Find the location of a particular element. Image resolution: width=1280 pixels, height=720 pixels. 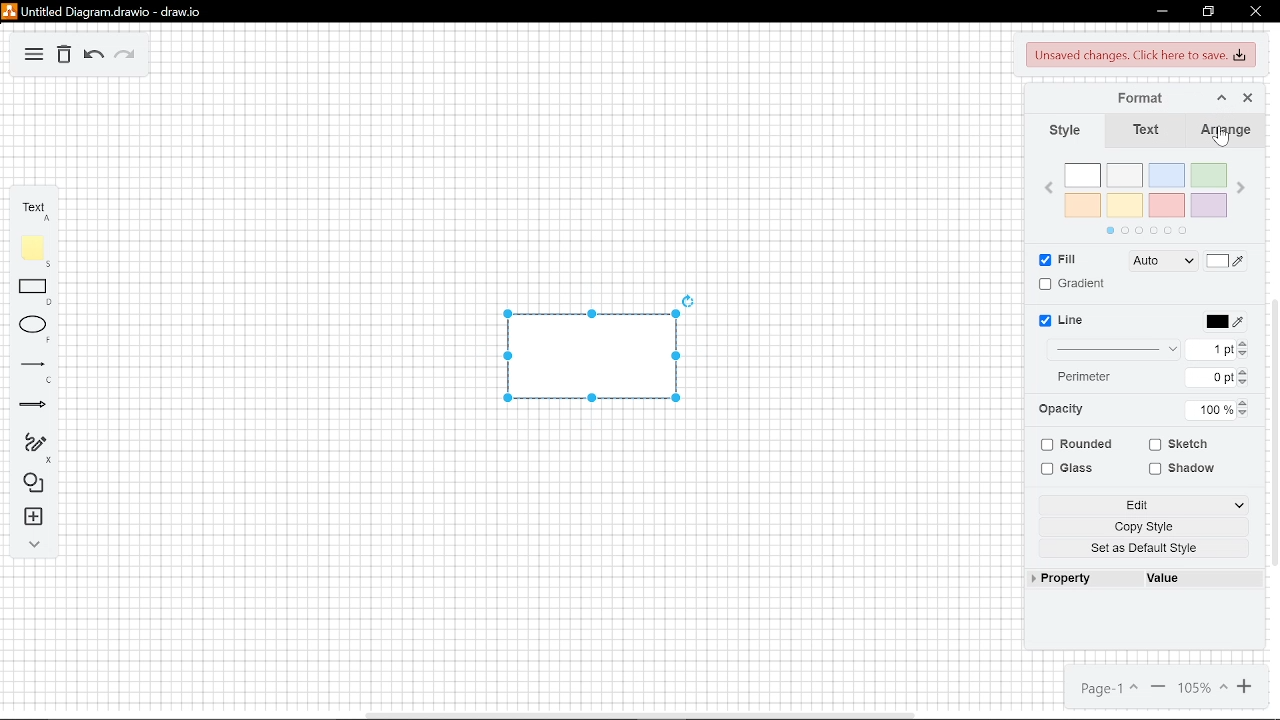

shapes is located at coordinates (36, 484).